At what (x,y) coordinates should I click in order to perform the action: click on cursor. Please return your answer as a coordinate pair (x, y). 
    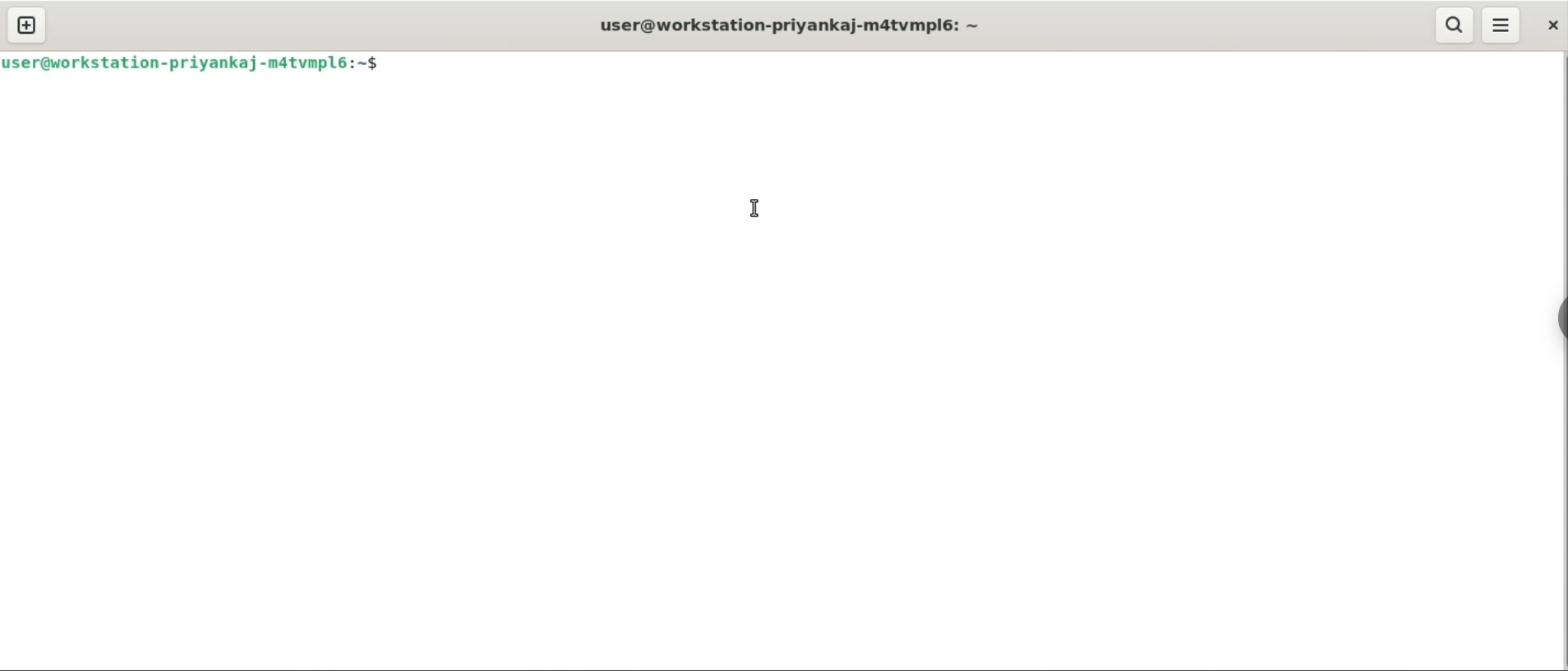
    Looking at the image, I should click on (754, 208).